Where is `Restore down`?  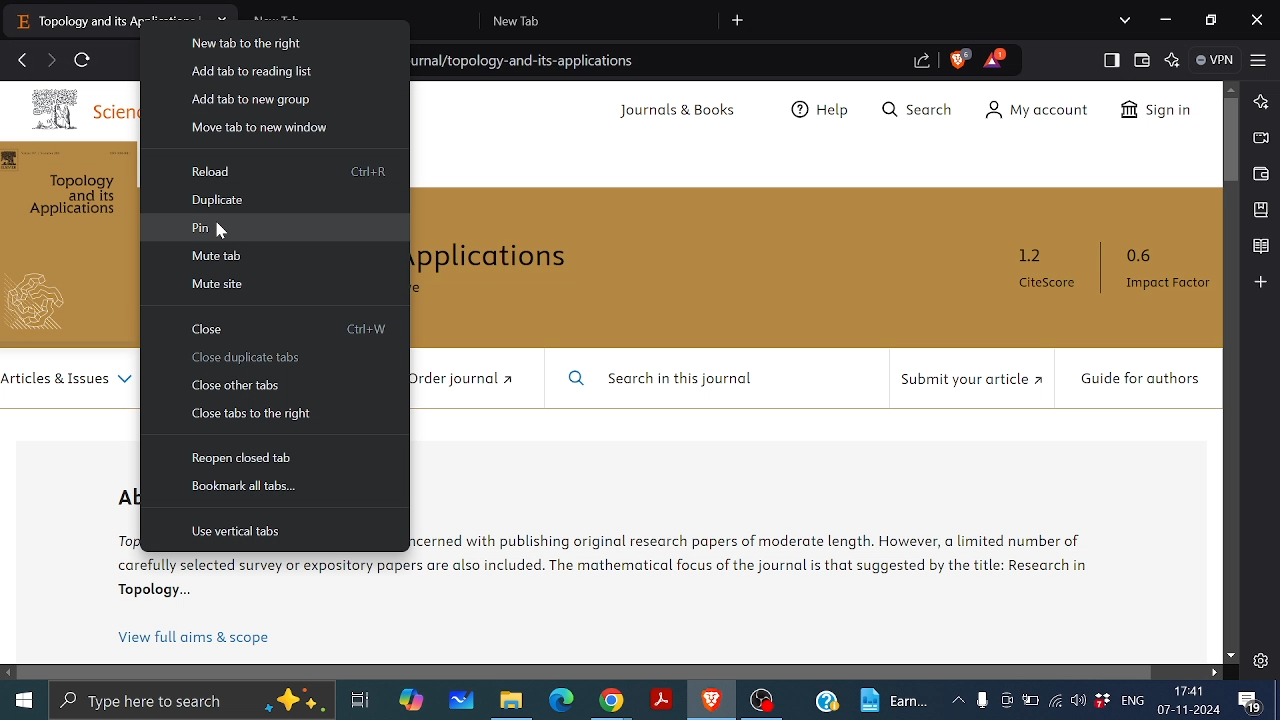
Restore down is located at coordinates (1210, 19).